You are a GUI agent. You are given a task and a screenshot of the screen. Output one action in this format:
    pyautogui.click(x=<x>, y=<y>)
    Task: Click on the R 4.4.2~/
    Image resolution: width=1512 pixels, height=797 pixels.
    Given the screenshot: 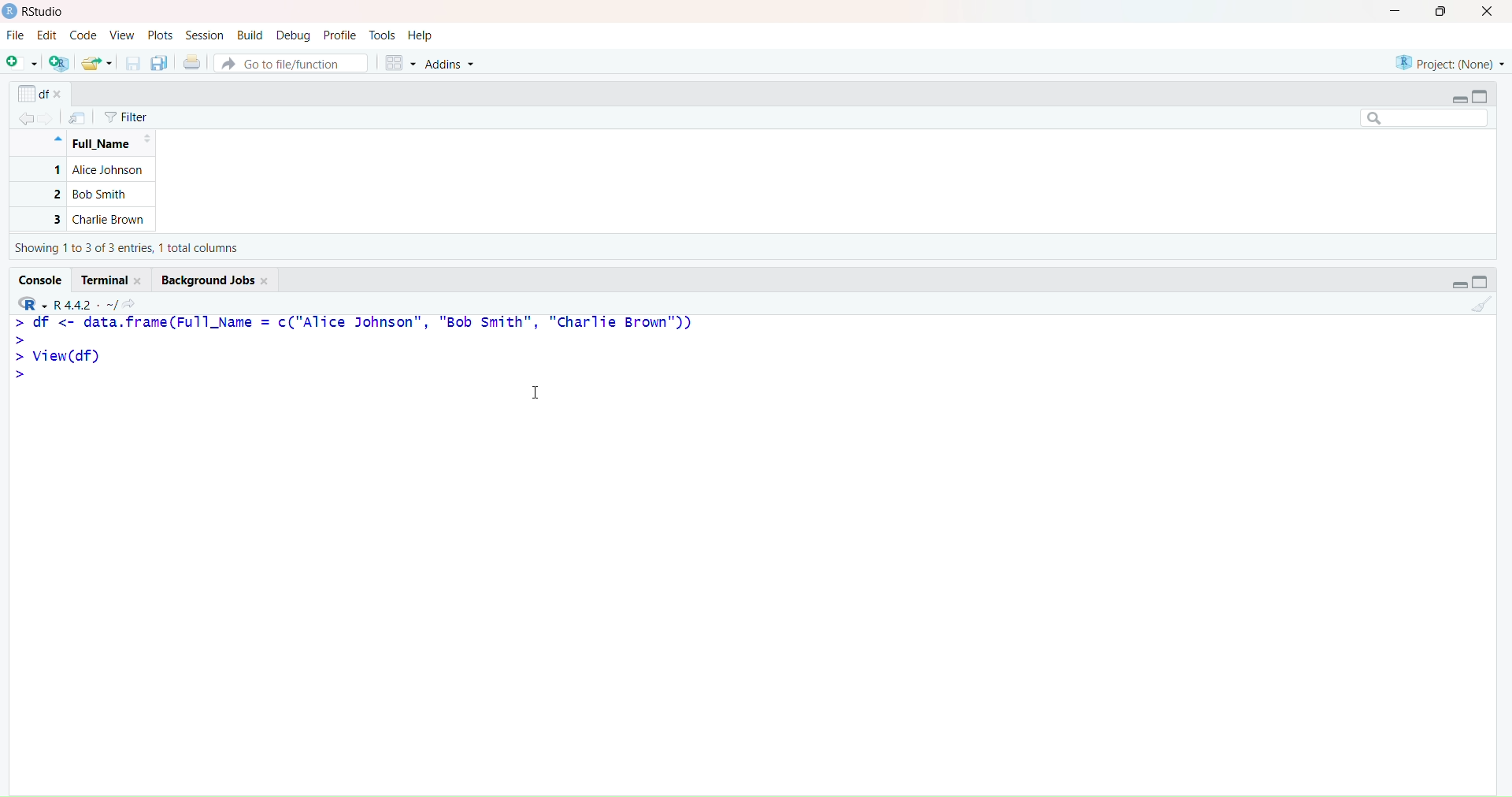 What is the action you would take?
    pyautogui.click(x=87, y=302)
    